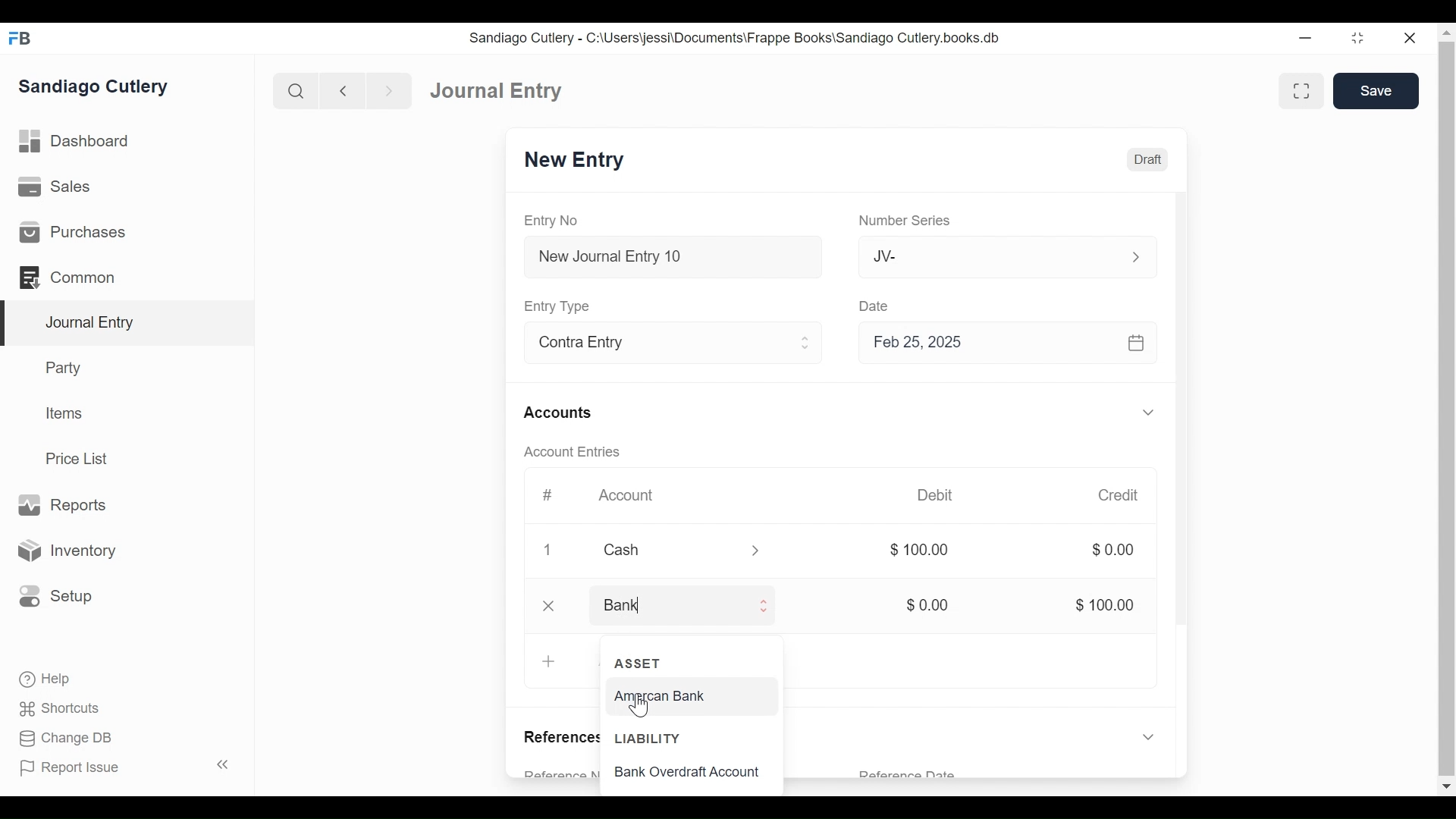 This screenshot has width=1456, height=819. I want to click on Vertical Scroll bar, so click(1185, 434).